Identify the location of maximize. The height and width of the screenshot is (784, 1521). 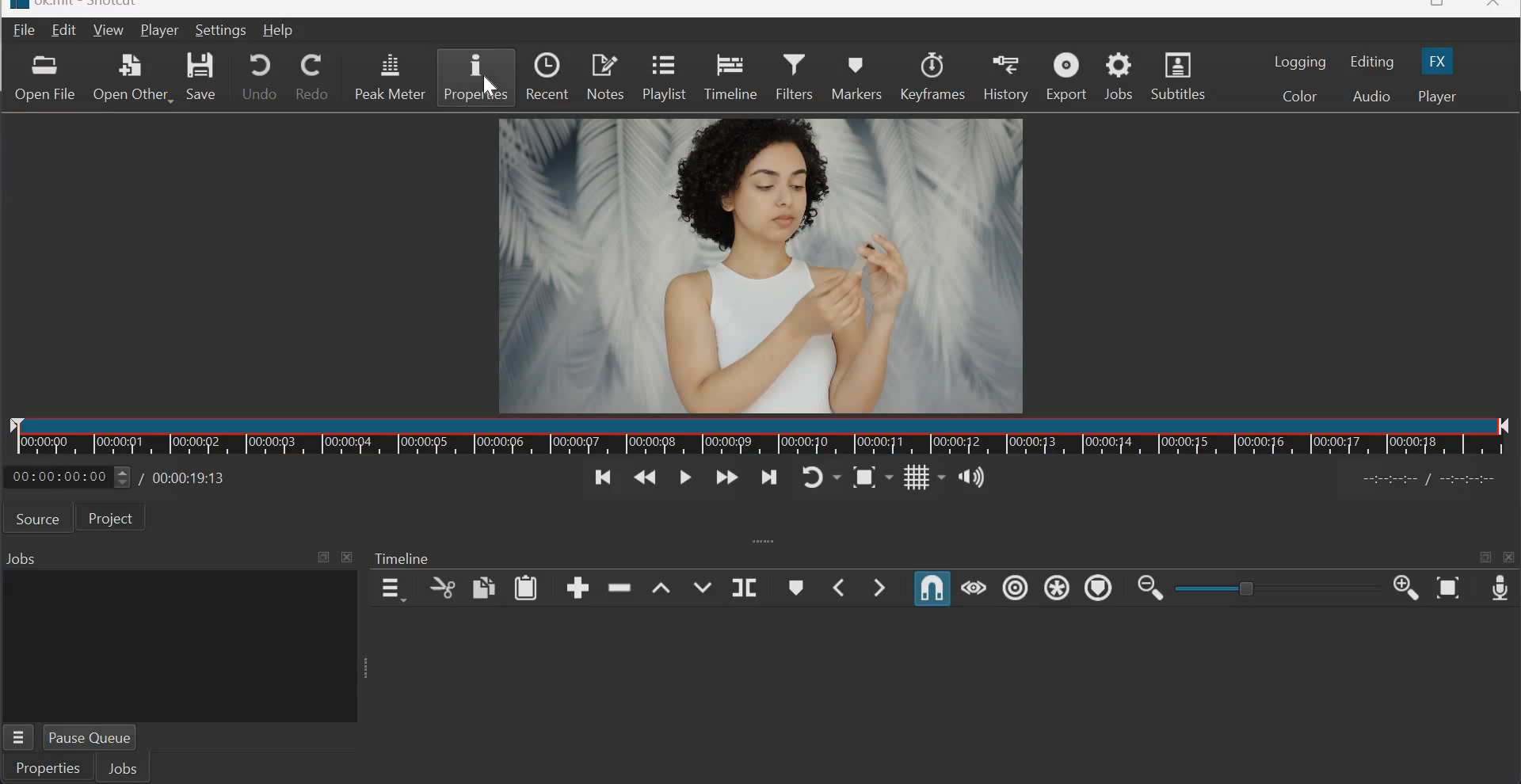
(1485, 559).